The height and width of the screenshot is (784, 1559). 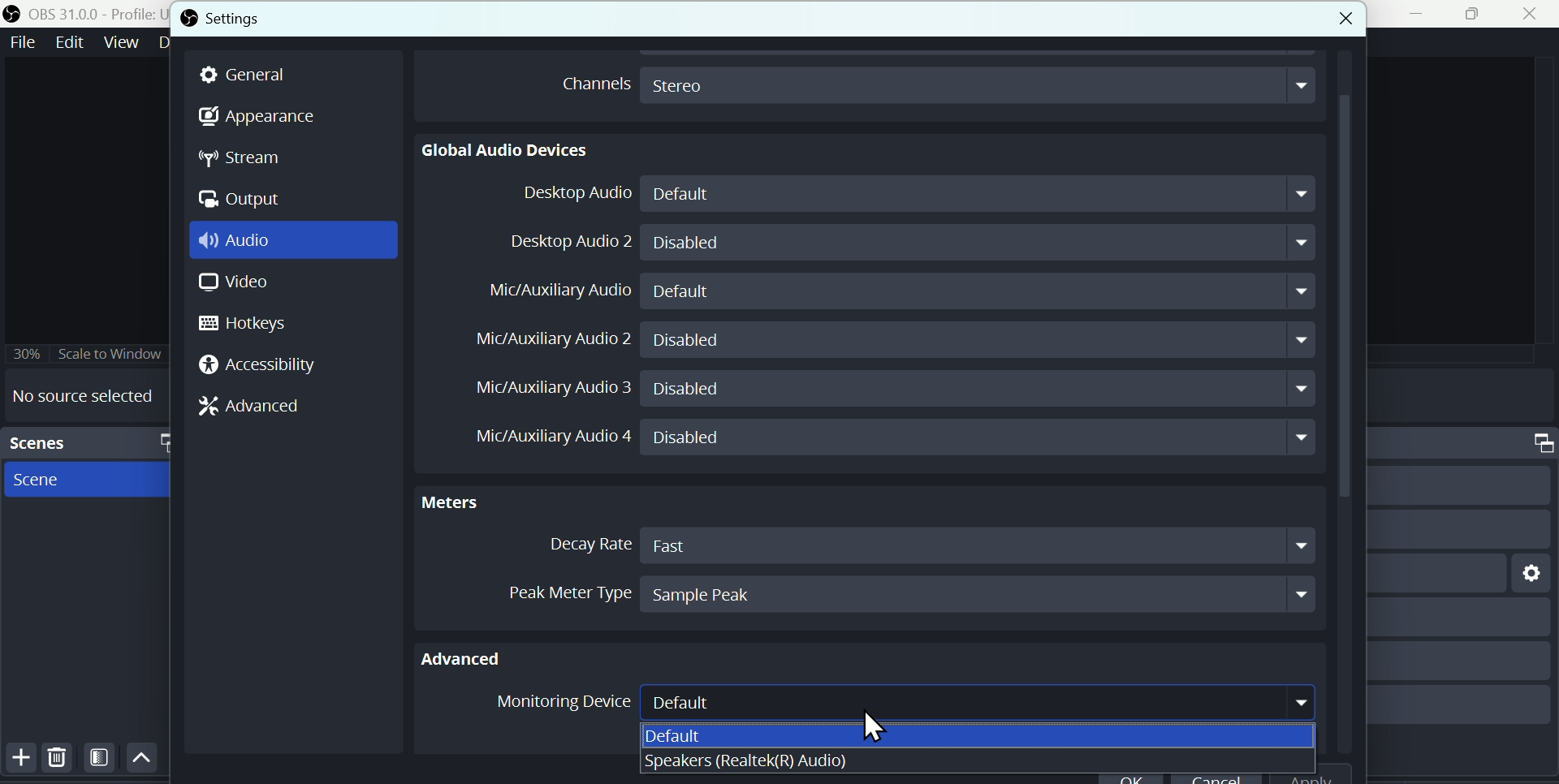 I want to click on maximize, so click(x=162, y=442).